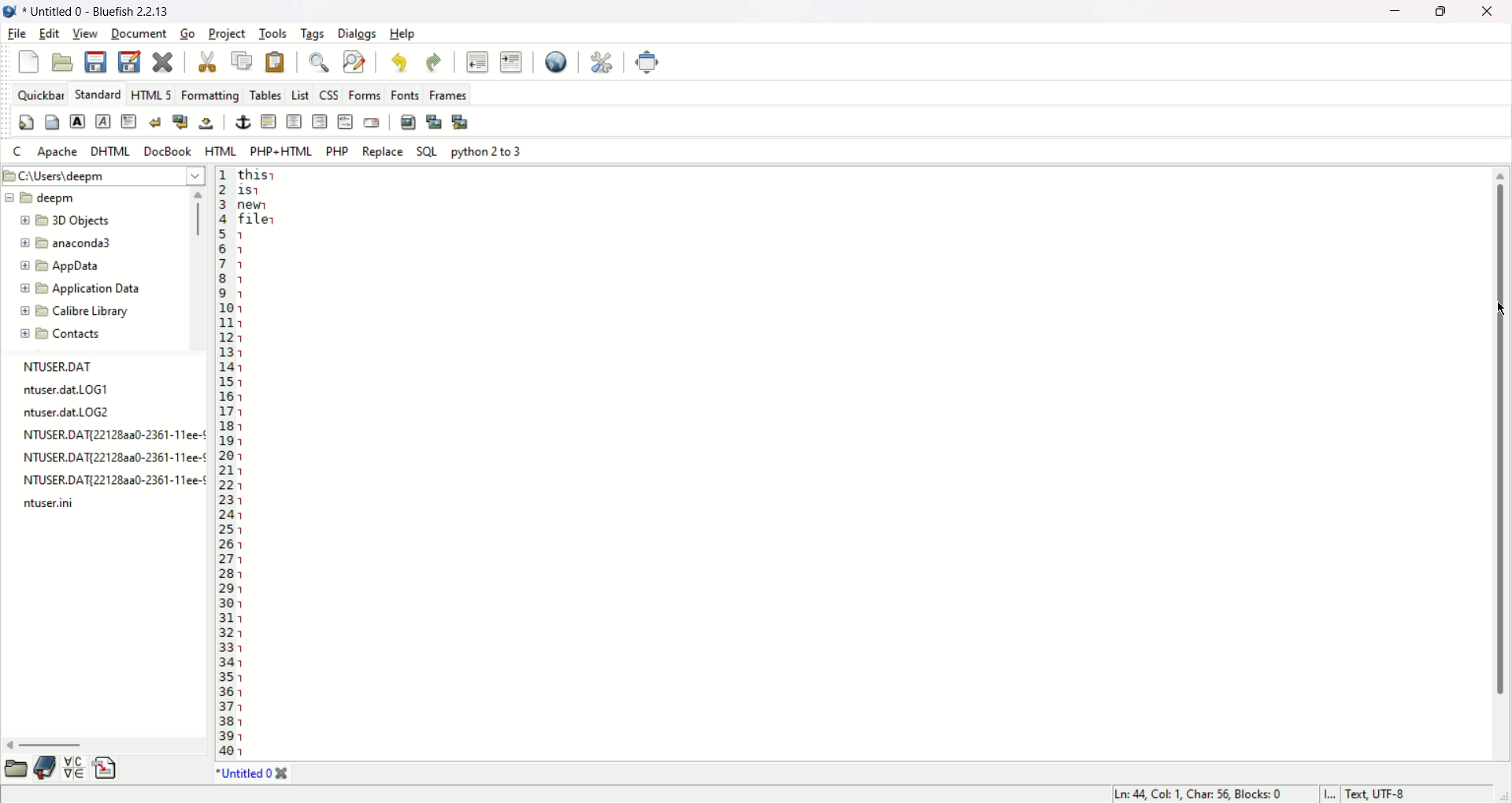 This screenshot has width=1512, height=803. What do you see at coordinates (360, 35) in the screenshot?
I see `dialogs` at bounding box center [360, 35].